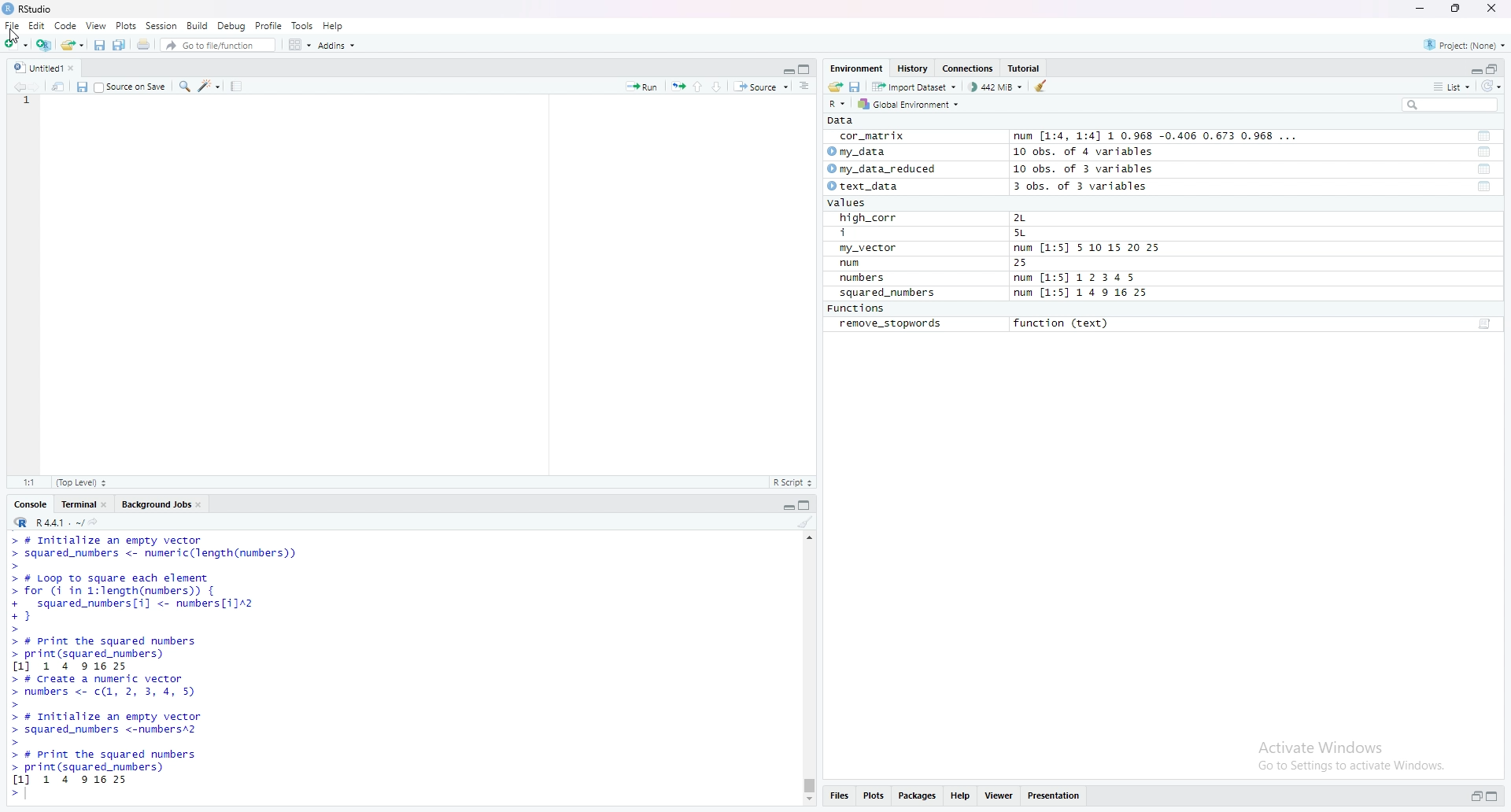 The width and height of the screenshot is (1511, 812). Describe the element at coordinates (869, 186) in the screenshot. I see `text_data` at that location.